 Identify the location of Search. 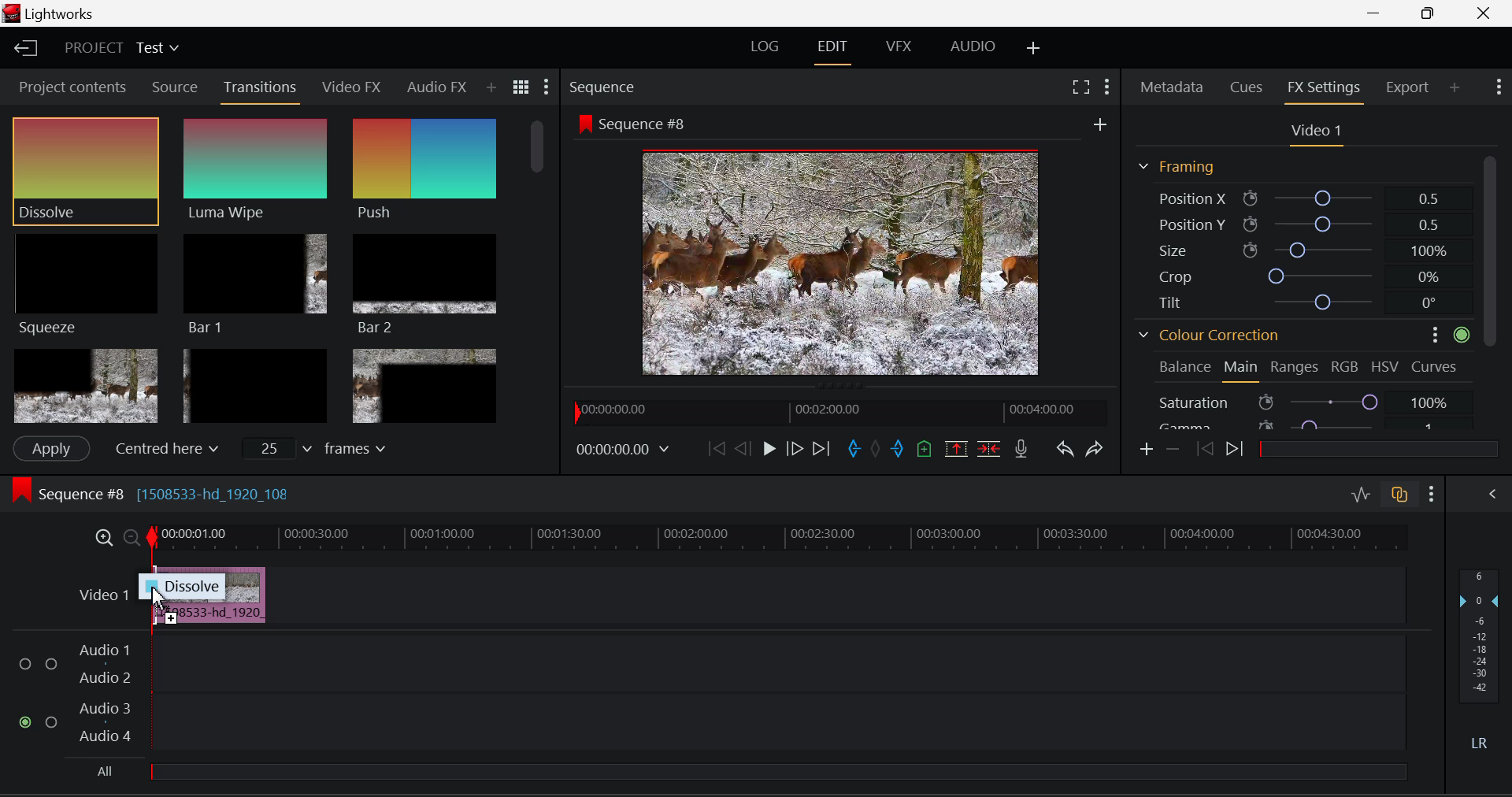
(493, 84).